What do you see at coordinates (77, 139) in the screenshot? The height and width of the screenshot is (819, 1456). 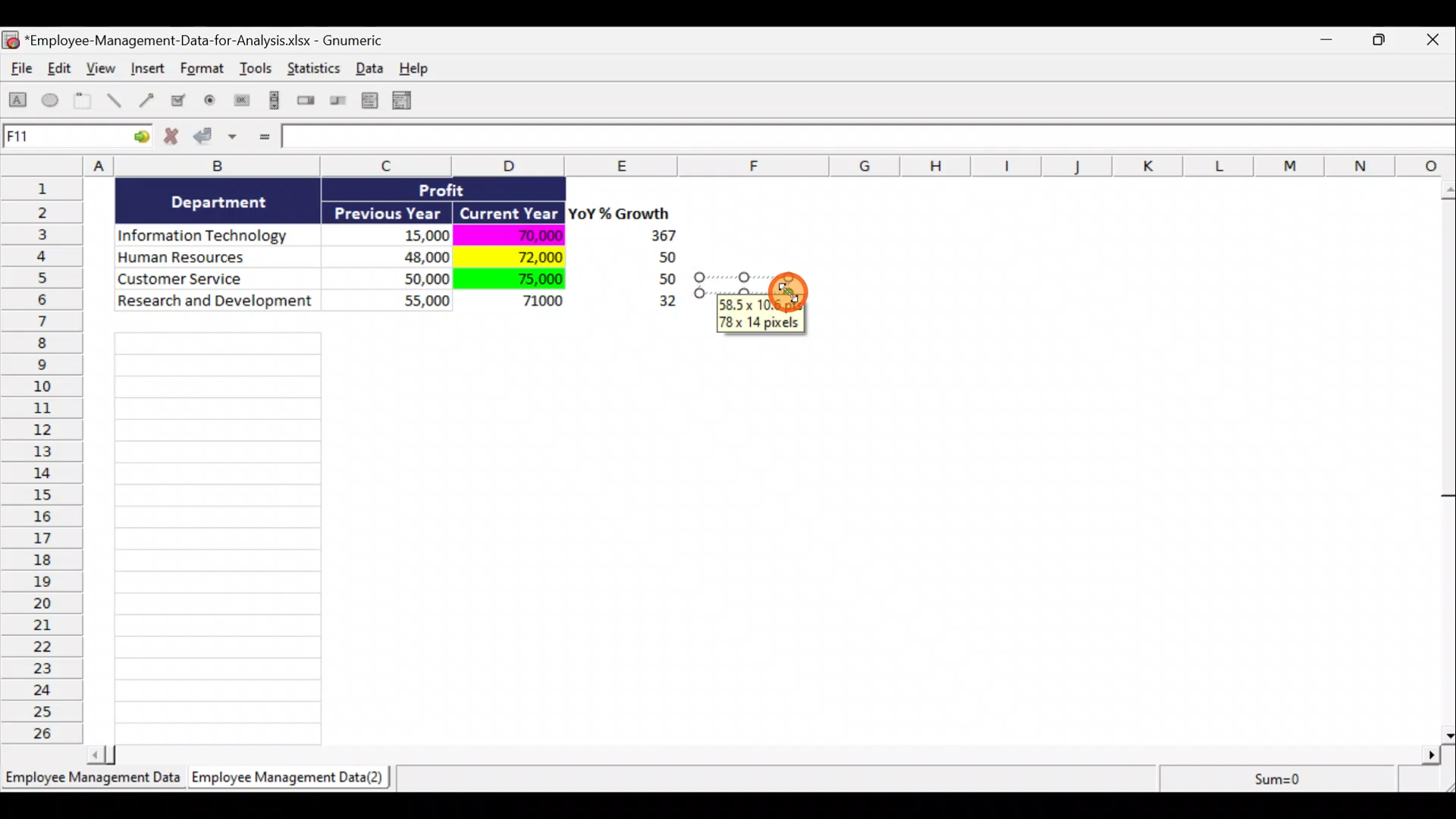 I see `Cell allocation` at bounding box center [77, 139].